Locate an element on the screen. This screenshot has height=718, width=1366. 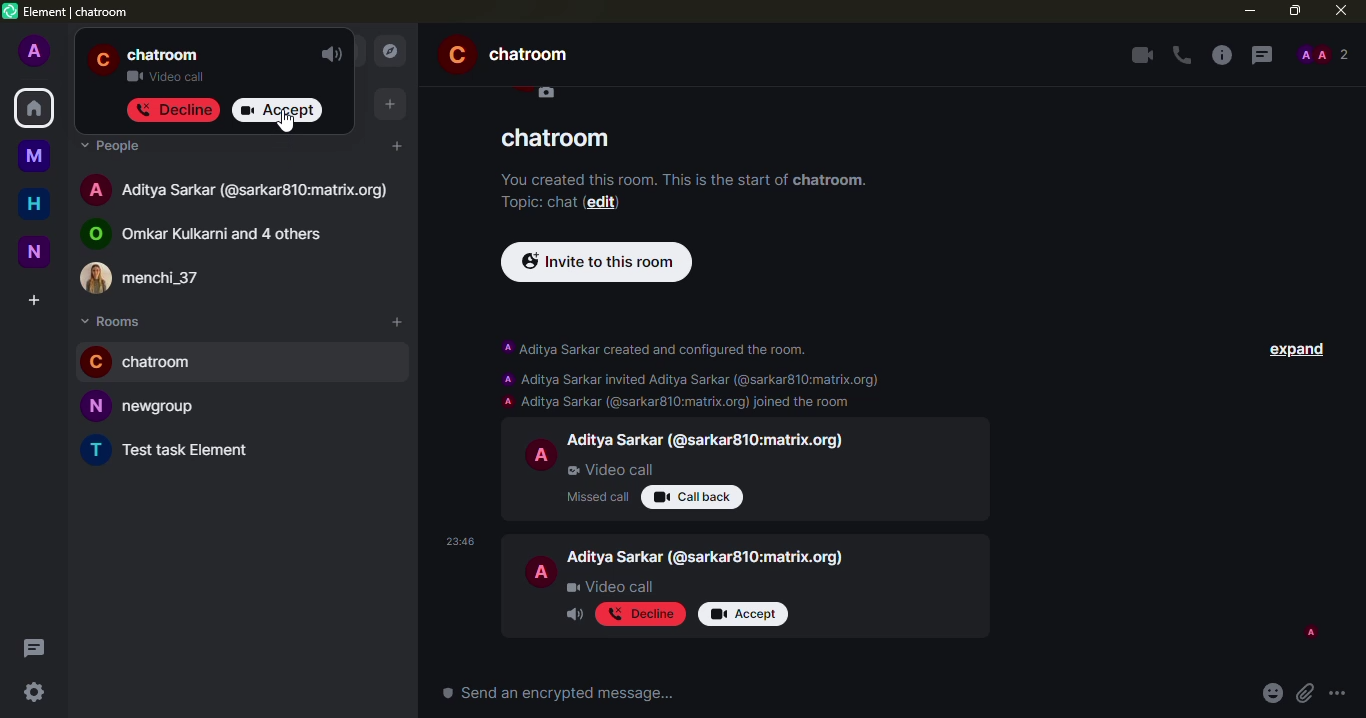
video call is located at coordinates (610, 587).